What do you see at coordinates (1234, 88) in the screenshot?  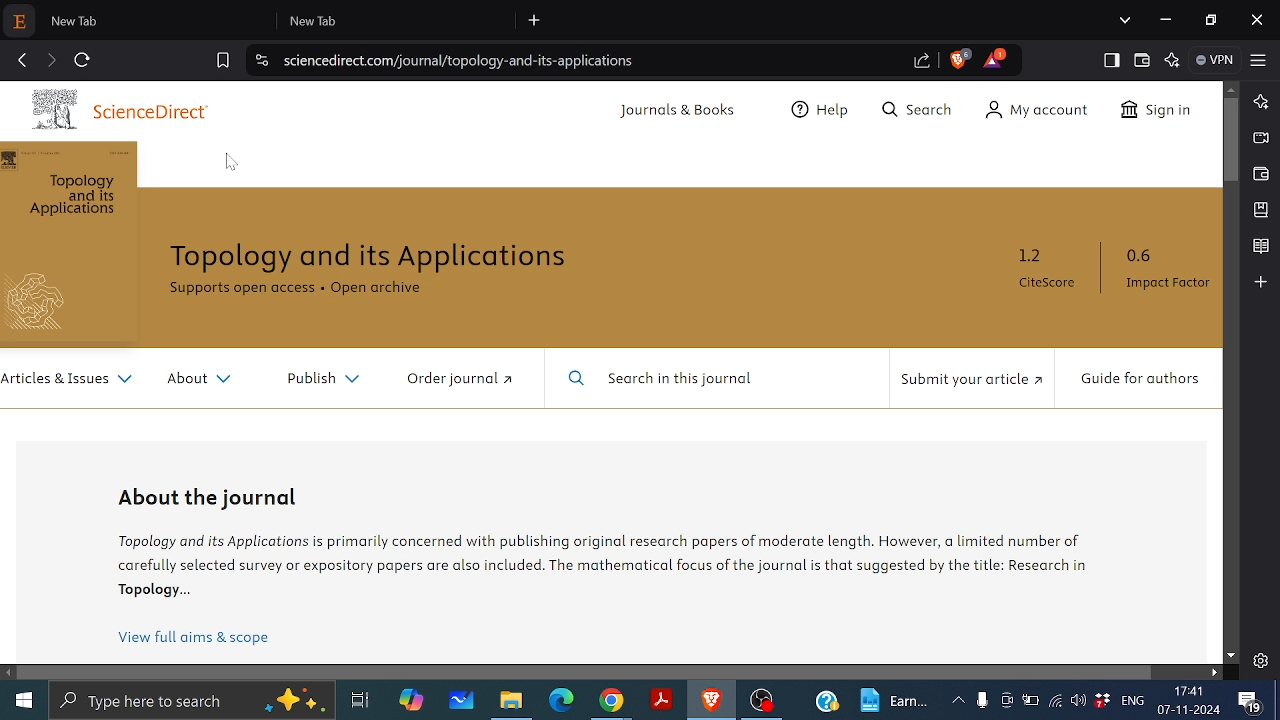 I see `Move up` at bounding box center [1234, 88].